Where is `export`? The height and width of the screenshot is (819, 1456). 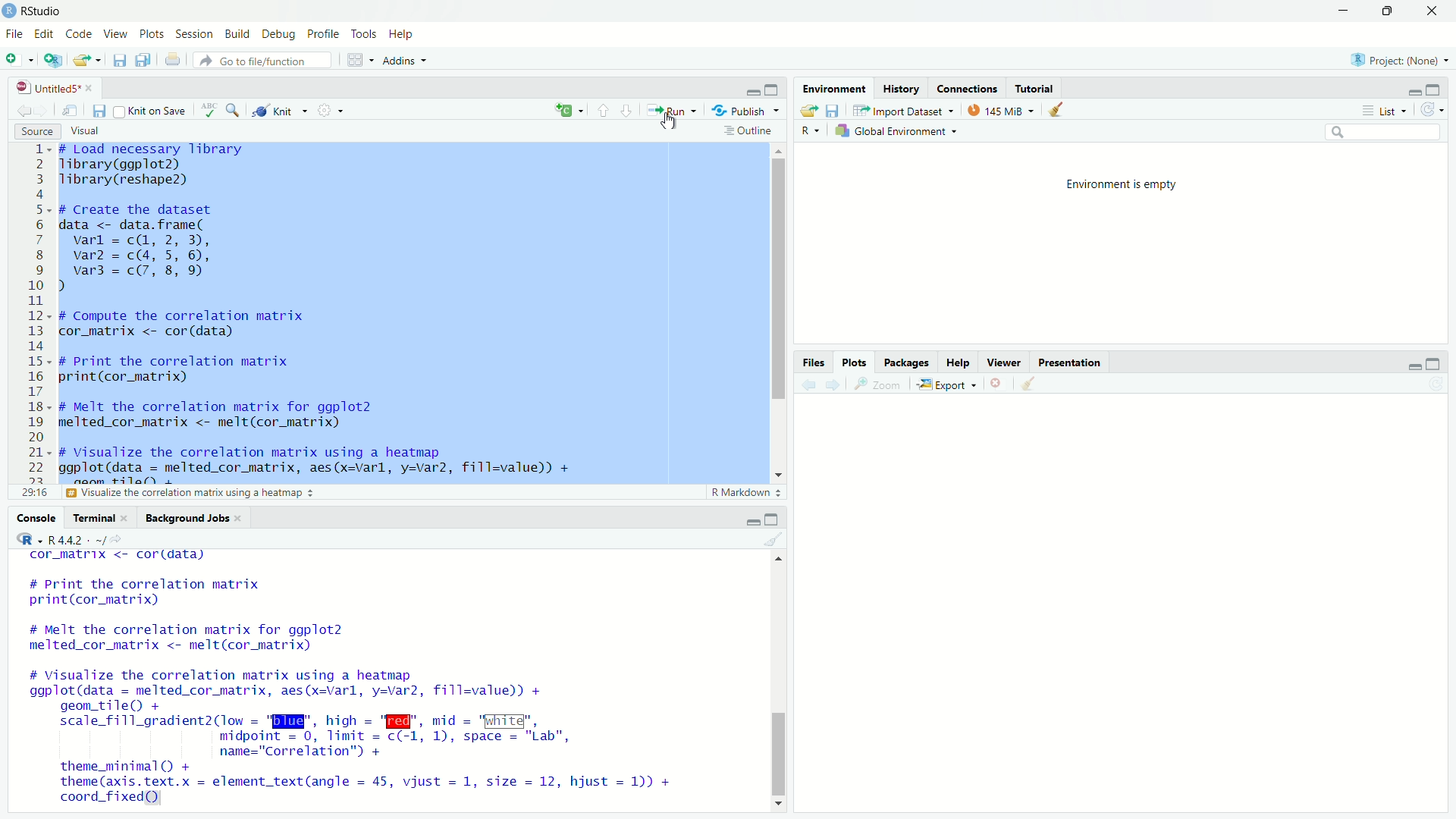 export is located at coordinates (948, 384).